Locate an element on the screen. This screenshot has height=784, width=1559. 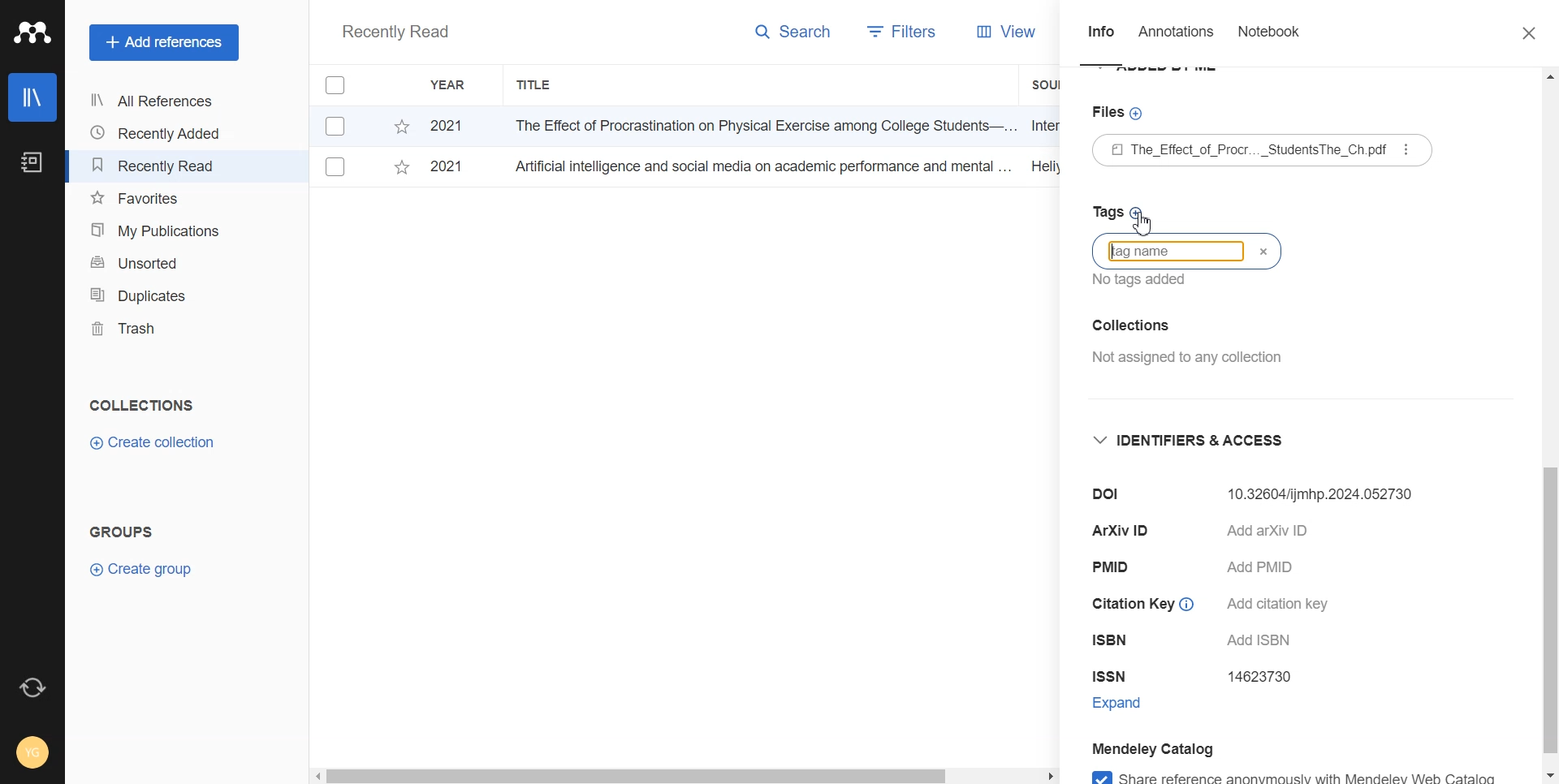
More is located at coordinates (1408, 149).